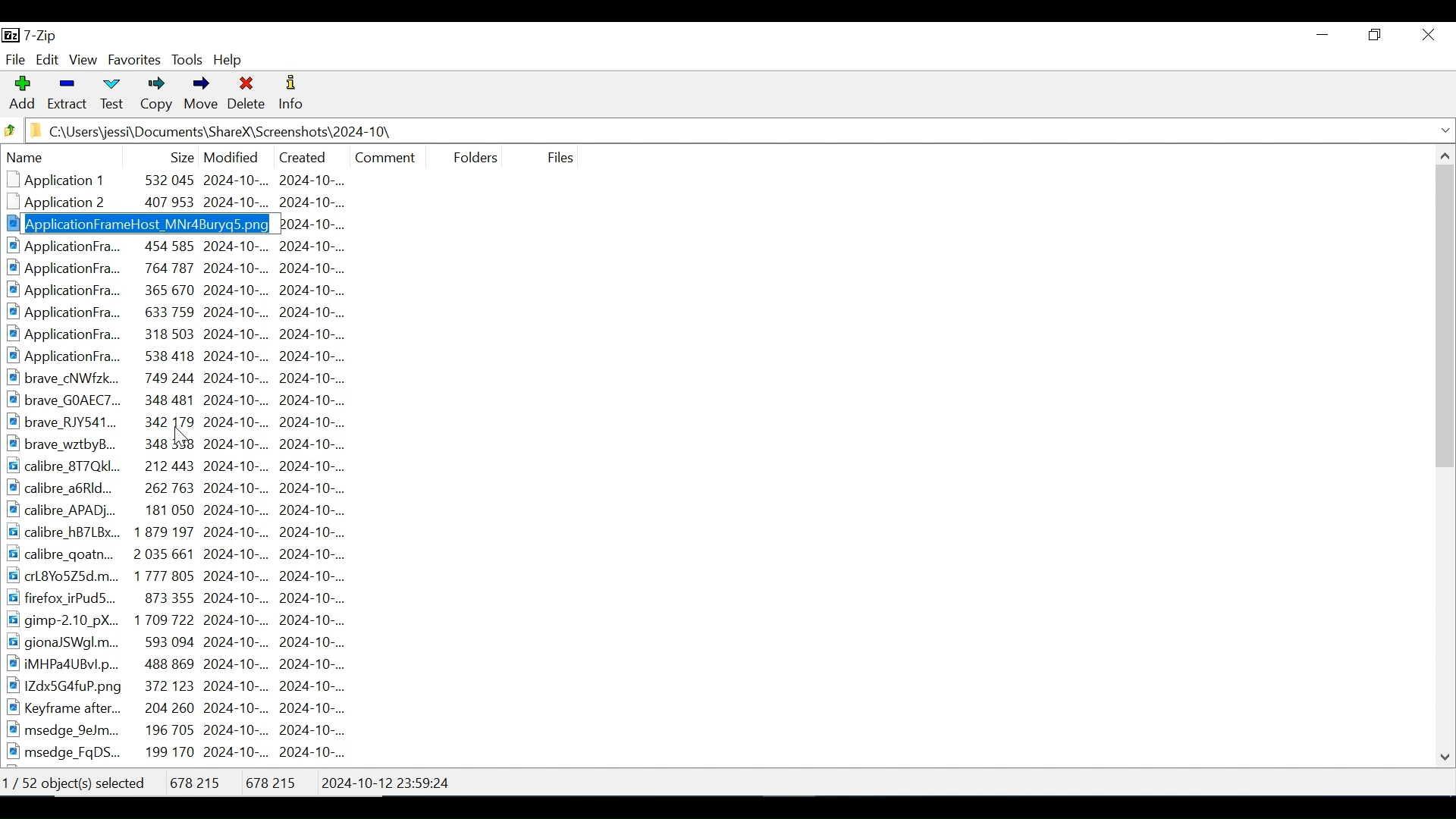  Describe the element at coordinates (189, 247) in the screenshot. I see `ApplicationFra... 454 585 2024-10-... 2024-10-...` at that location.